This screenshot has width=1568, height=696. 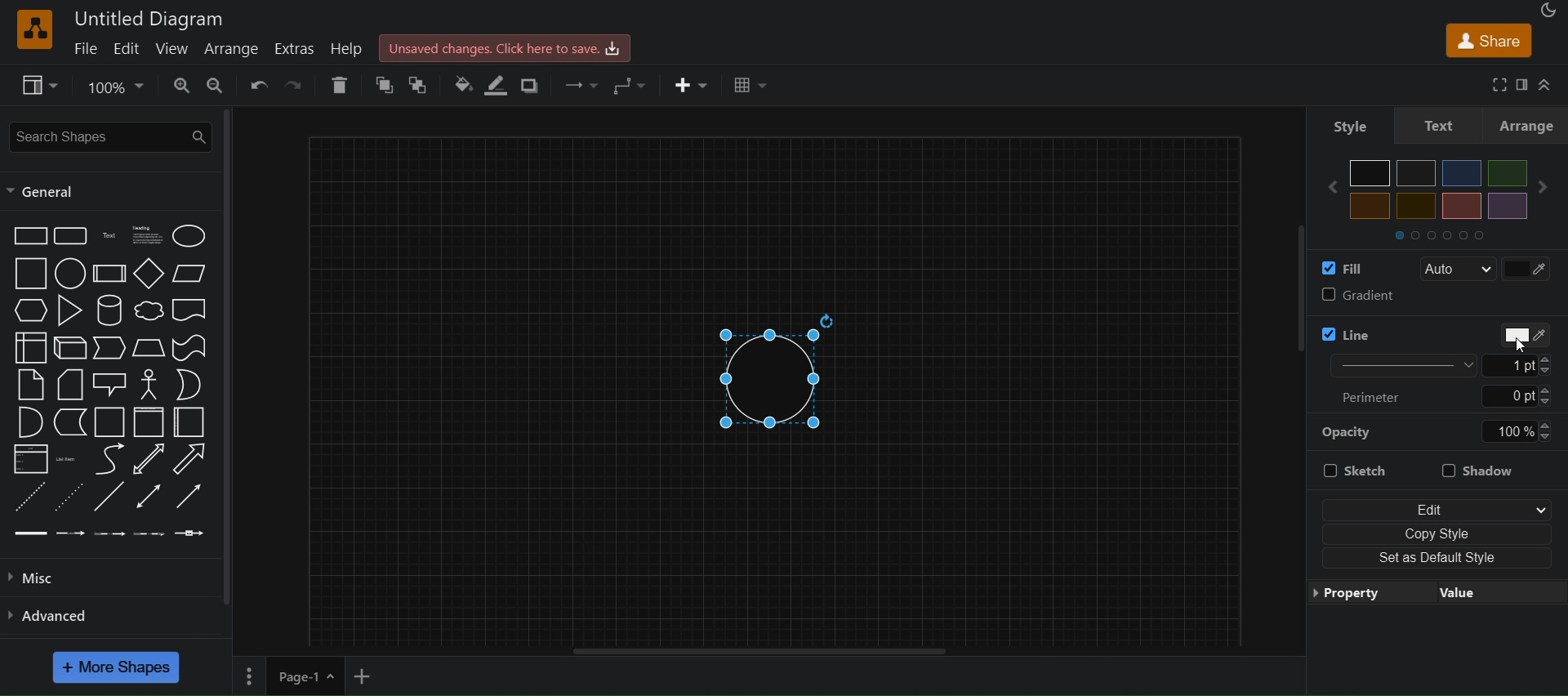 What do you see at coordinates (109, 498) in the screenshot?
I see `line` at bounding box center [109, 498].